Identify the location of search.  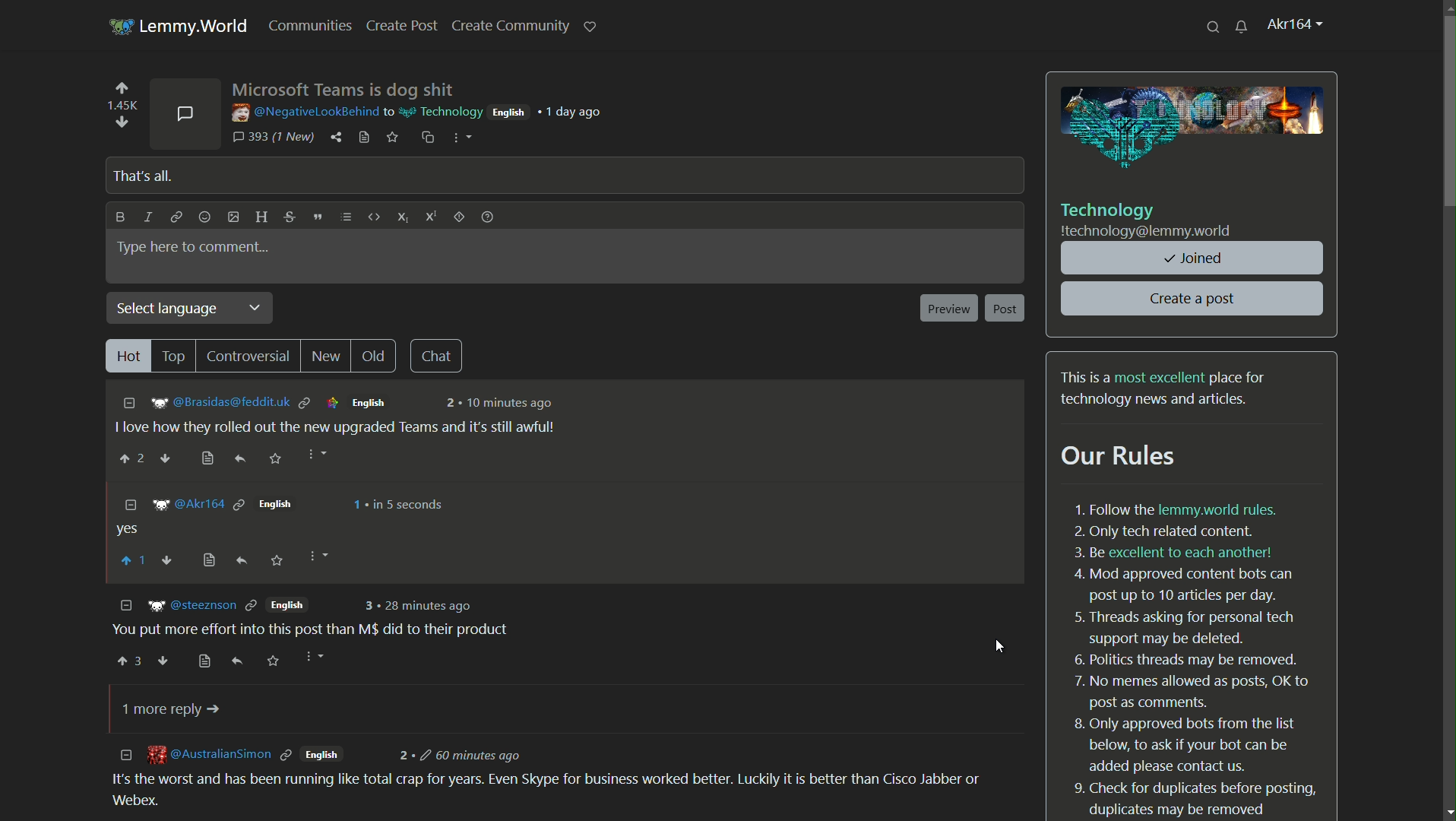
(1214, 26).